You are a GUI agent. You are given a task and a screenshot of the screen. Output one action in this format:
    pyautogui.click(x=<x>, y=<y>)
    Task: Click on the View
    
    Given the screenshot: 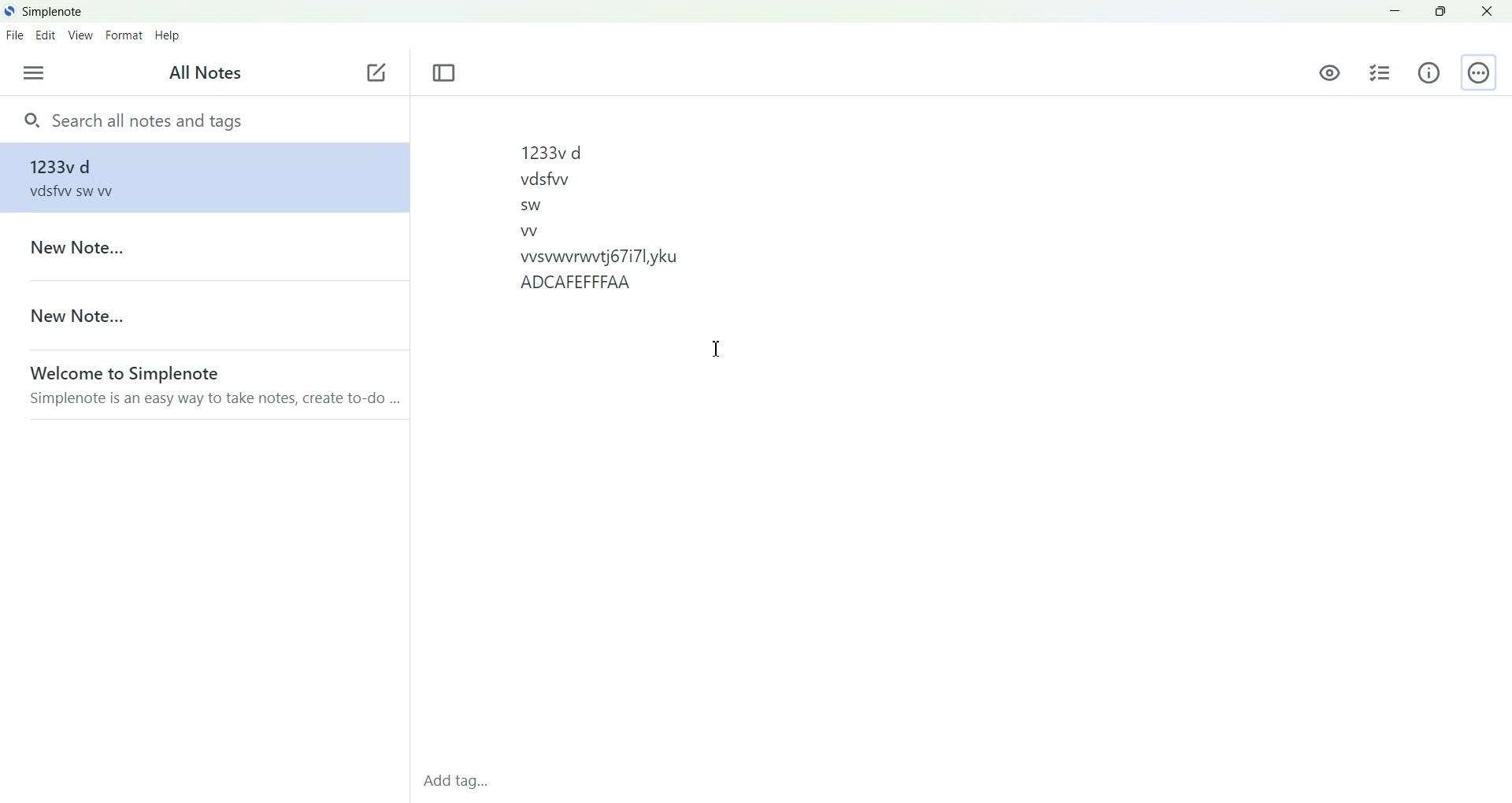 What is the action you would take?
    pyautogui.click(x=81, y=35)
    